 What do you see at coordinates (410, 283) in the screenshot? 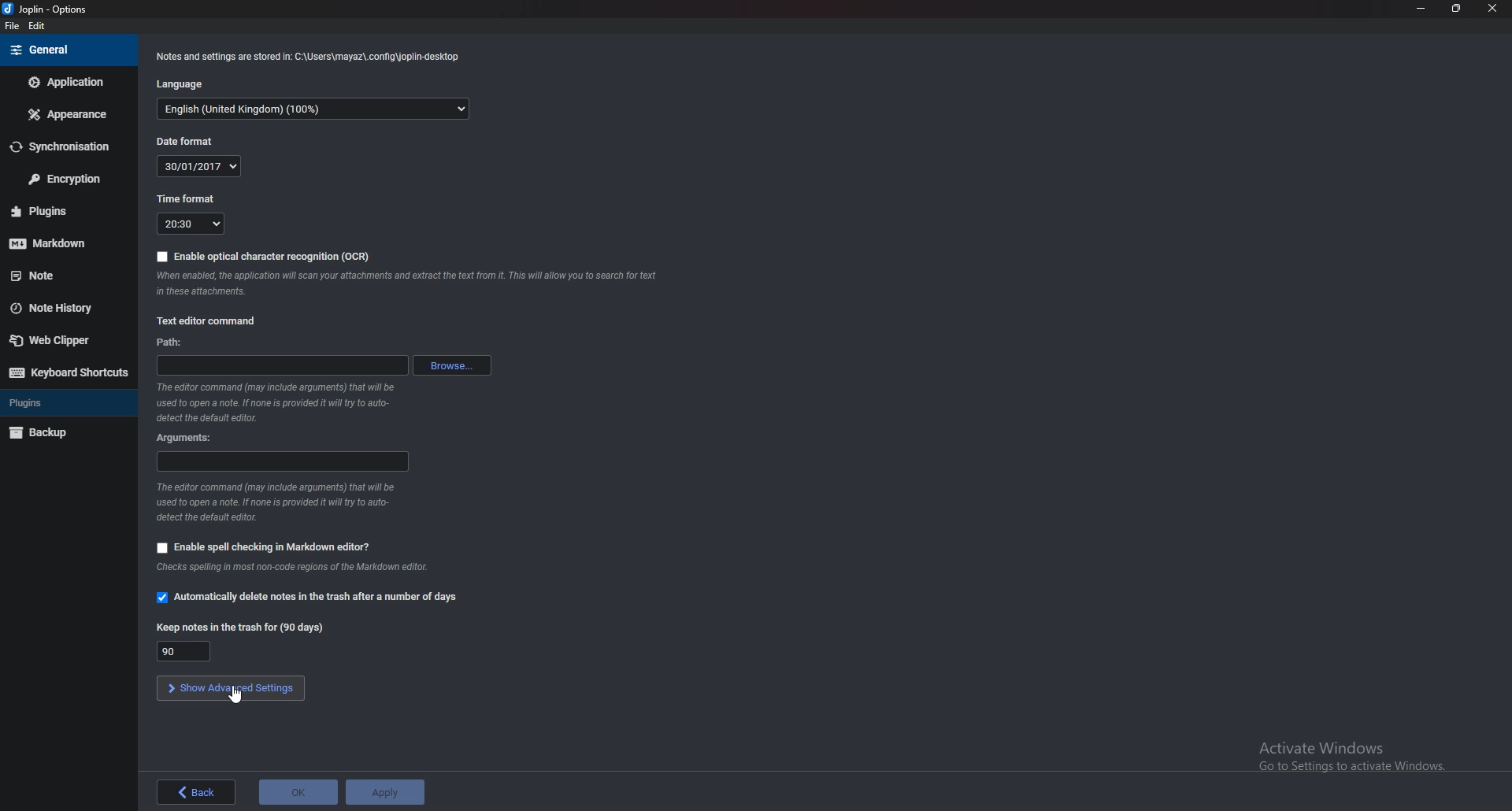
I see `Info` at bounding box center [410, 283].